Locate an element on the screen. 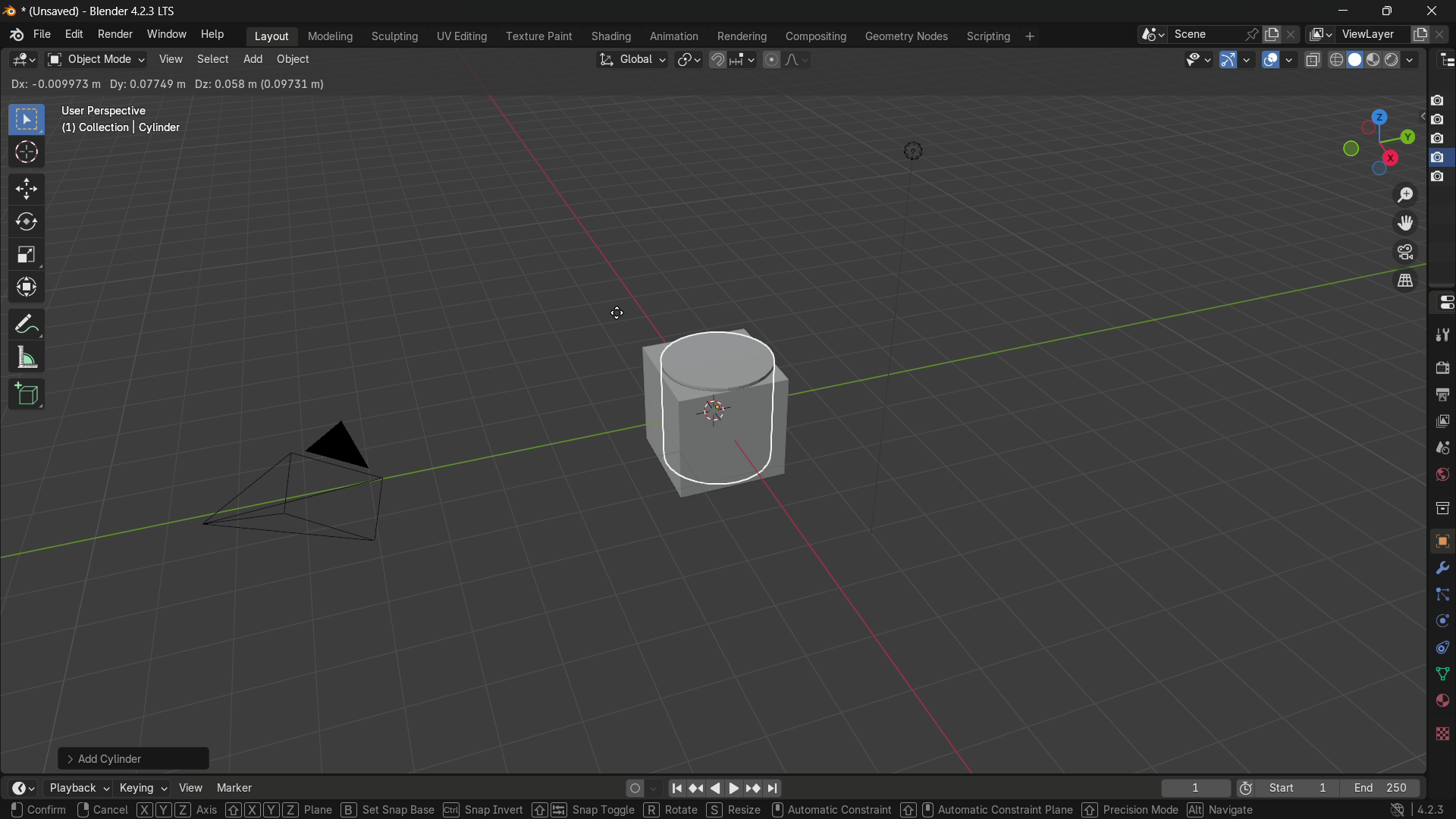 The image size is (1456, 819). texture paint menu is located at coordinates (540, 36).